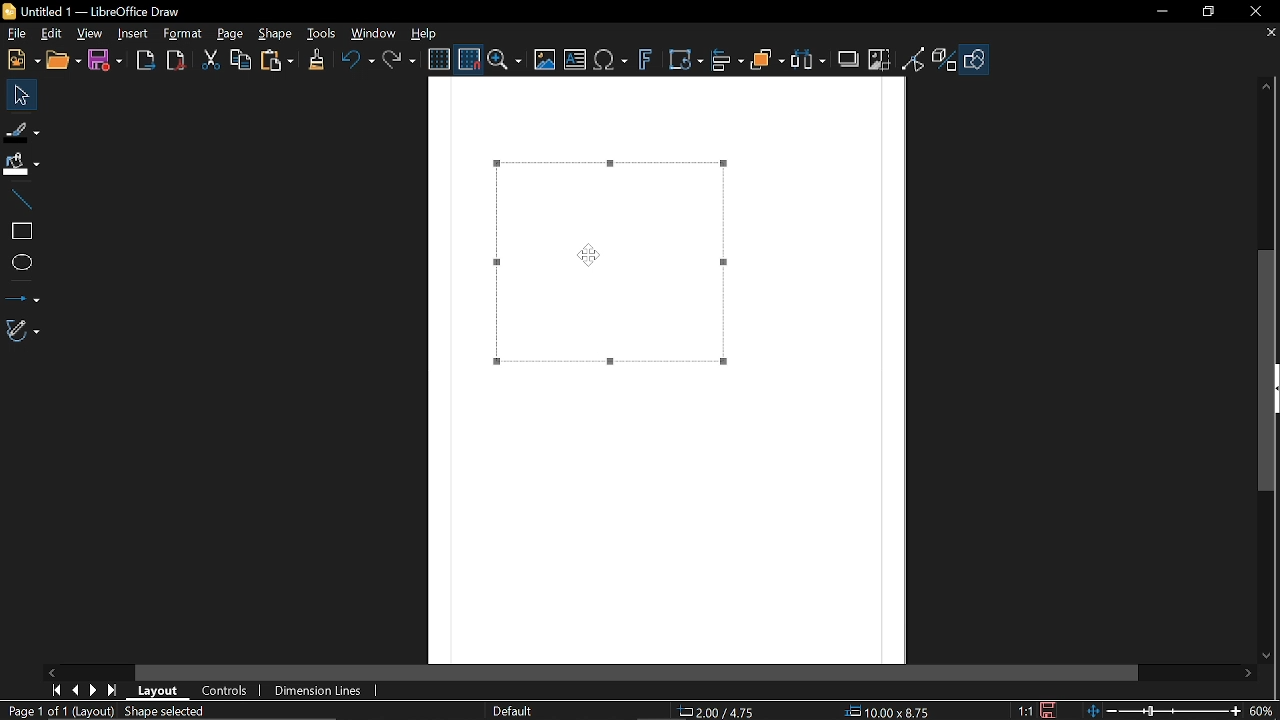 This screenshot has height=720, width=1280. Describe the element at coordinates (1267, 87) in the screenshot. I see `Move up` at that location.